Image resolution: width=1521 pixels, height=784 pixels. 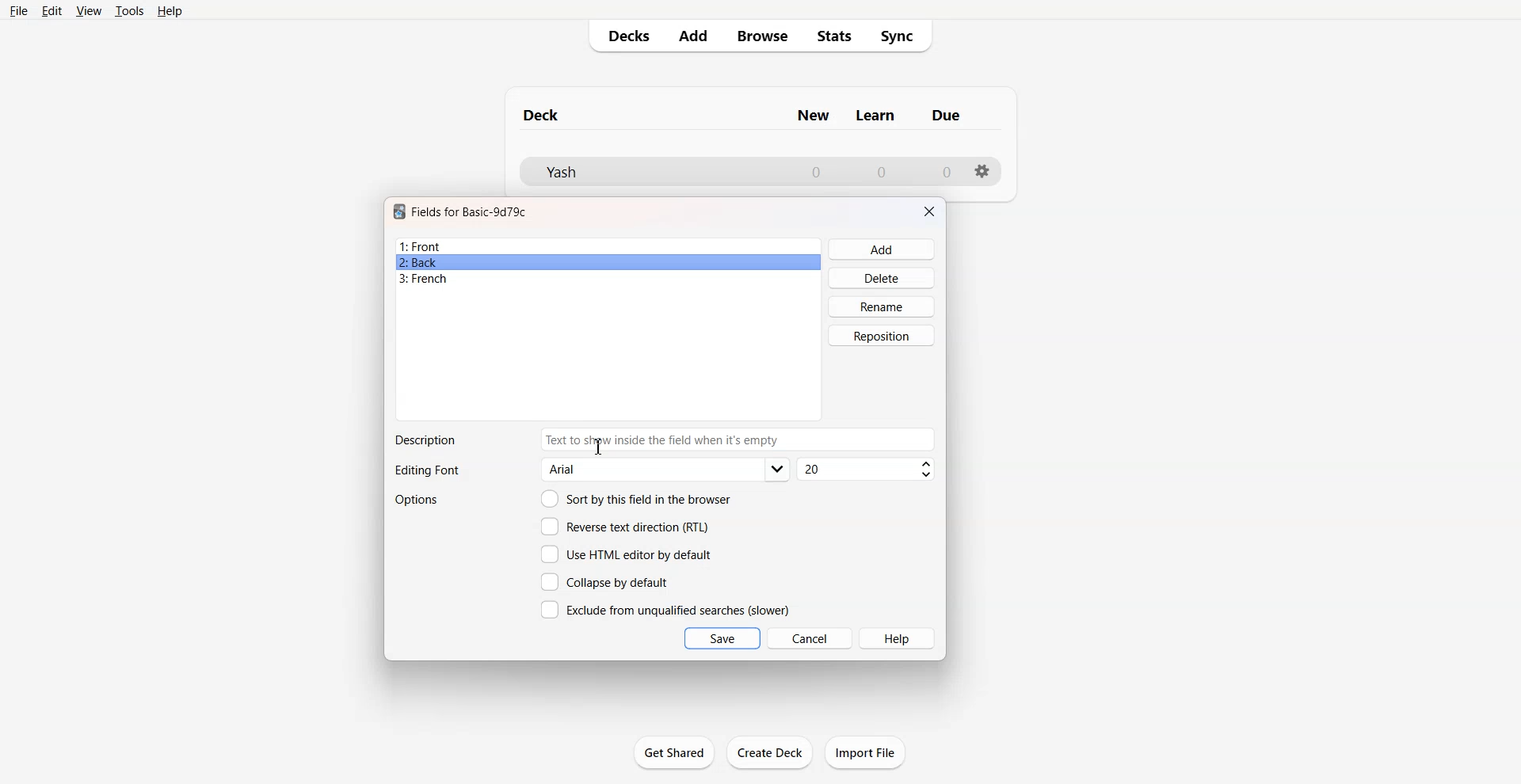 I want to click on Exclude from unqualified searches (slower), so click(x=665, y=609).